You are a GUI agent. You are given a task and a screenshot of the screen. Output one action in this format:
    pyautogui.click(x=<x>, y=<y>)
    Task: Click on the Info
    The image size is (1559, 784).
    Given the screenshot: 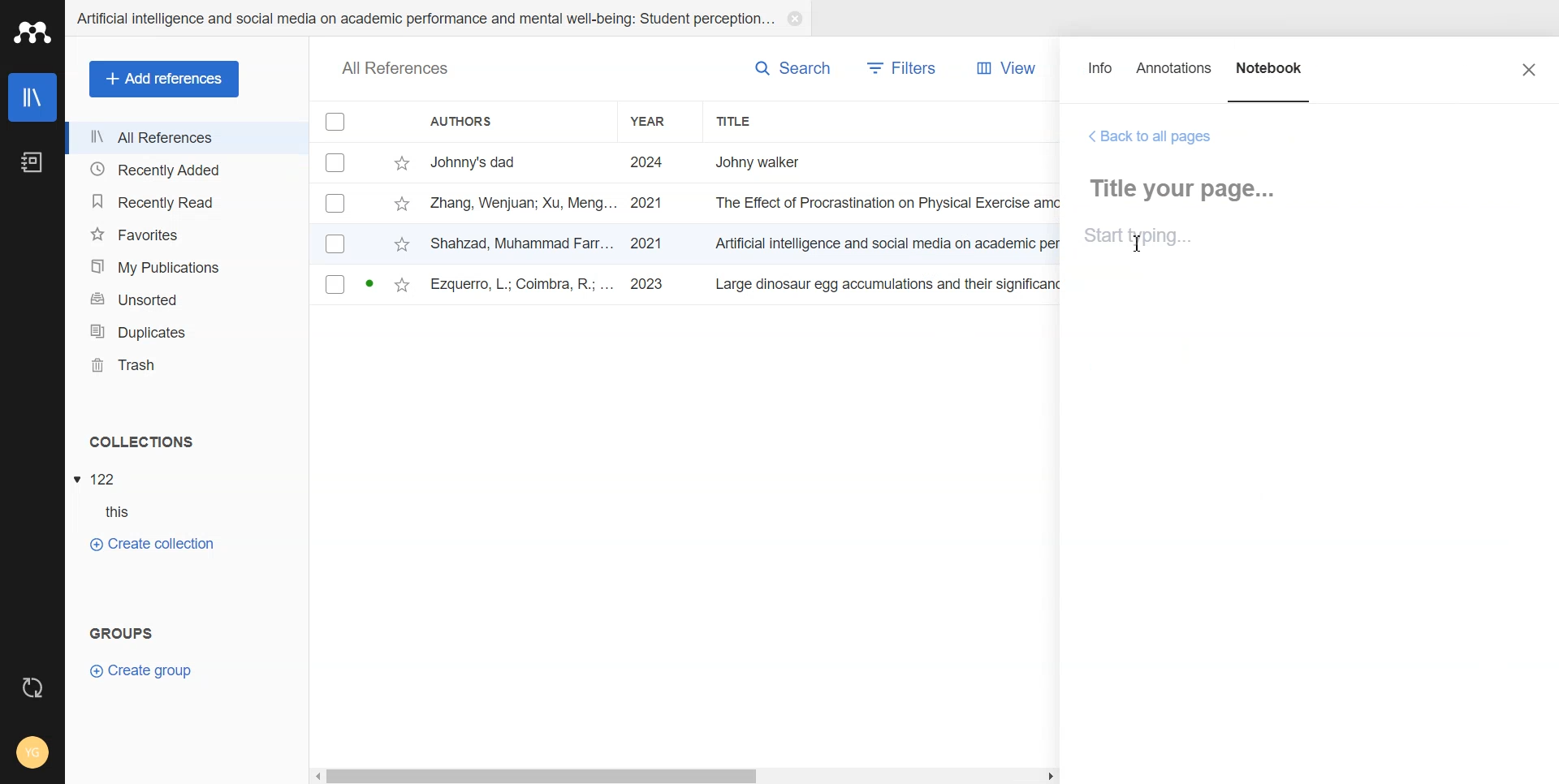 What is the action you would take?
    pyautogui.click(x=1101, y=75)
    